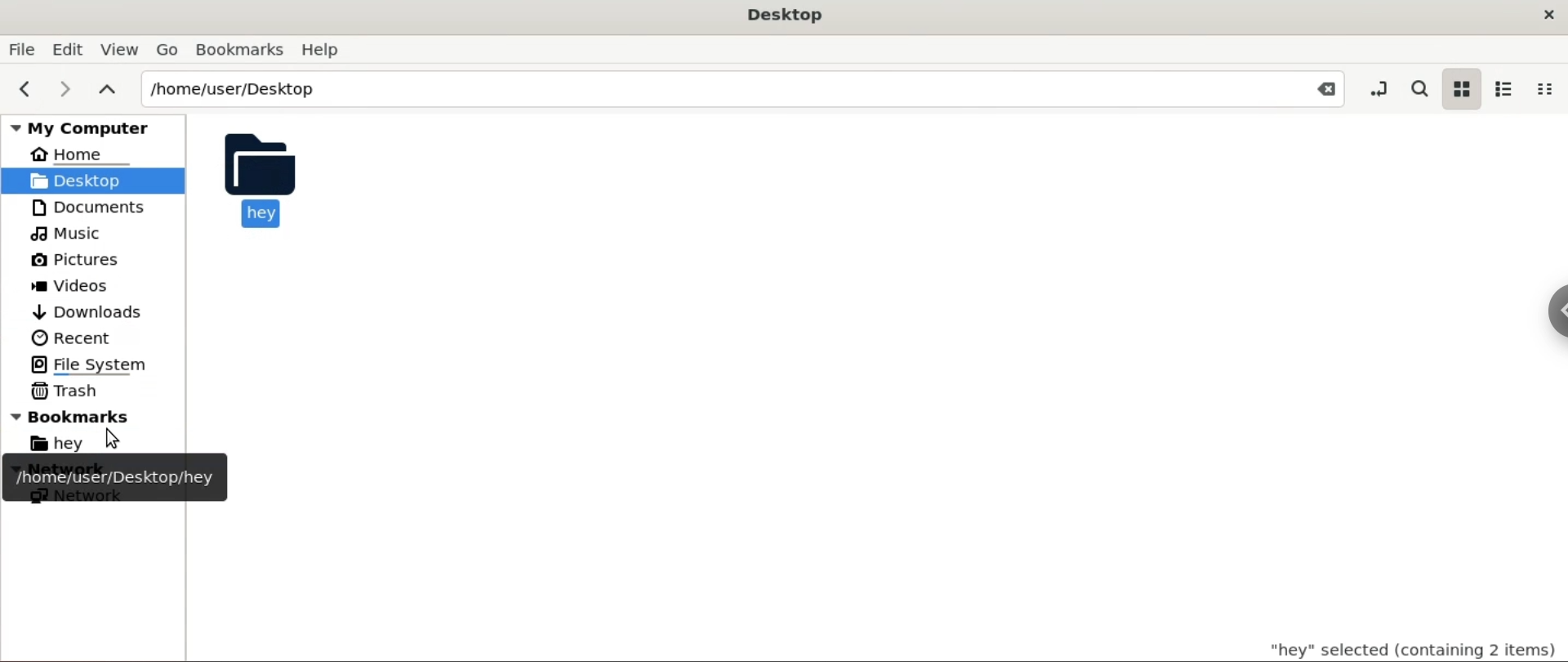  Describe the element at coordinates (113, 439) in the screenshot. I see `cursor` at that location.